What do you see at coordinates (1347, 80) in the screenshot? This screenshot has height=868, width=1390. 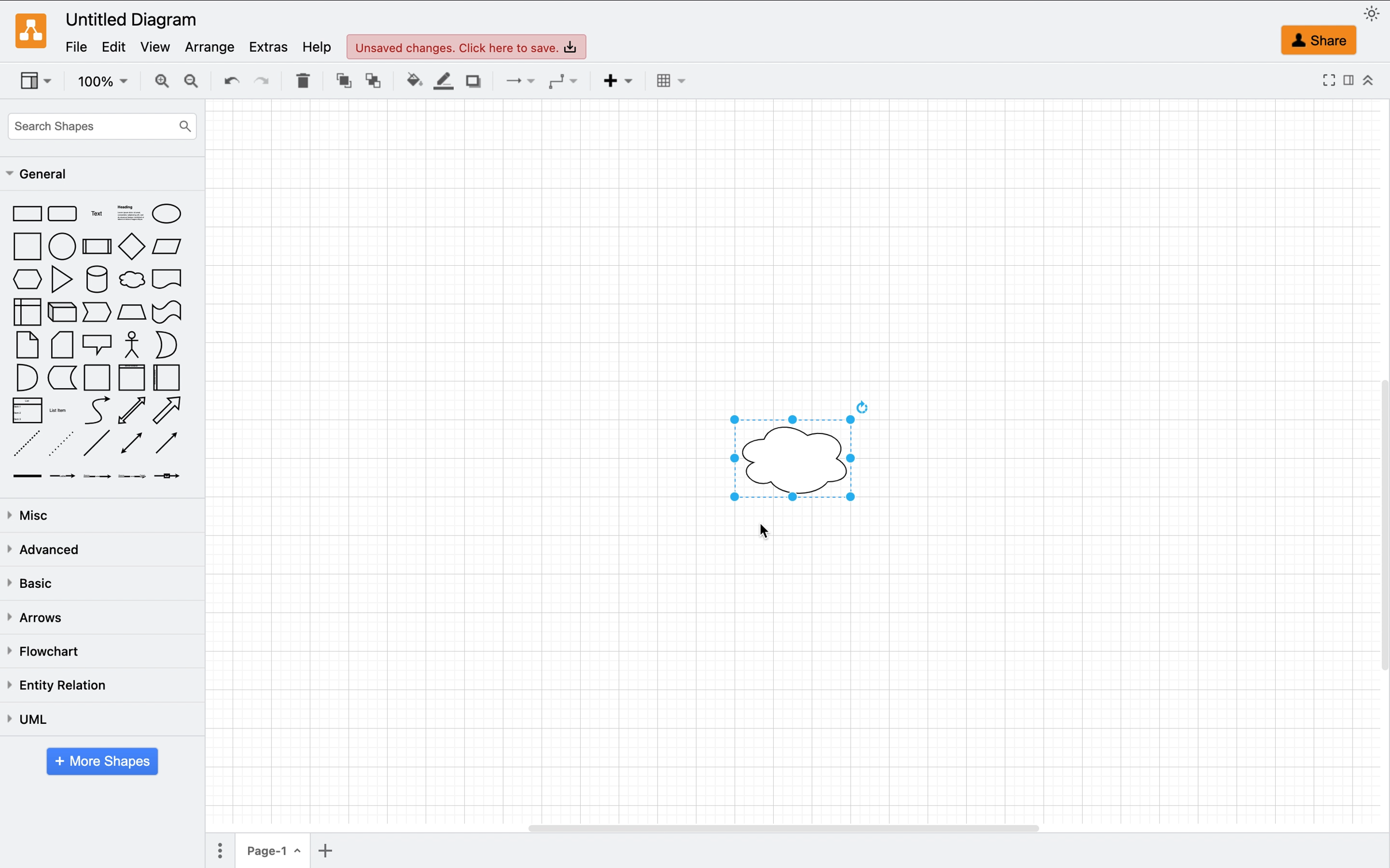 I see `format` at bounding box center [1347, 80].